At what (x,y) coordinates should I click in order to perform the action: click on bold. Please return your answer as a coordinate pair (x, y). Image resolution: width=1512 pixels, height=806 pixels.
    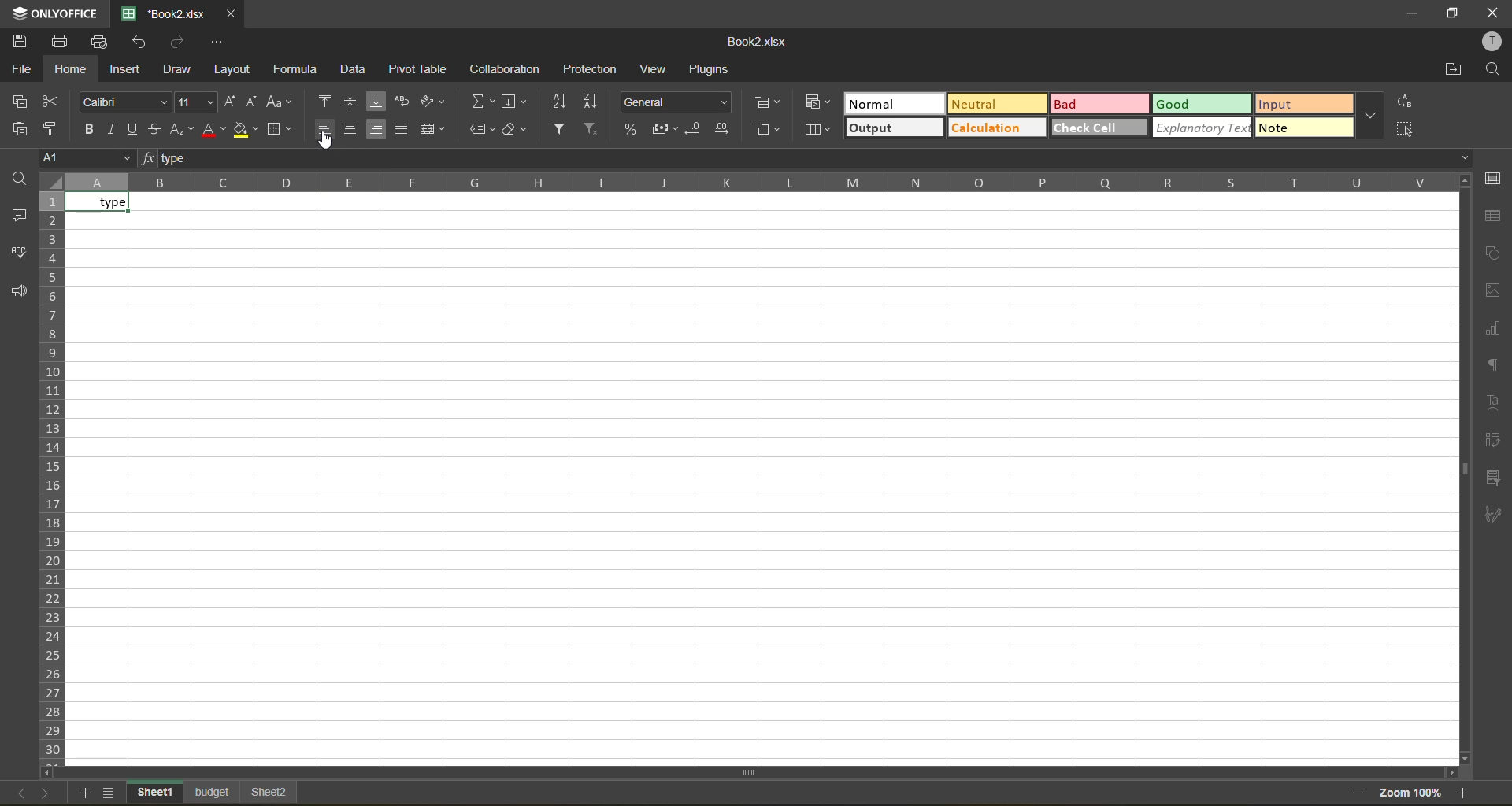
    Looking at the image, I should click on (93, 130).